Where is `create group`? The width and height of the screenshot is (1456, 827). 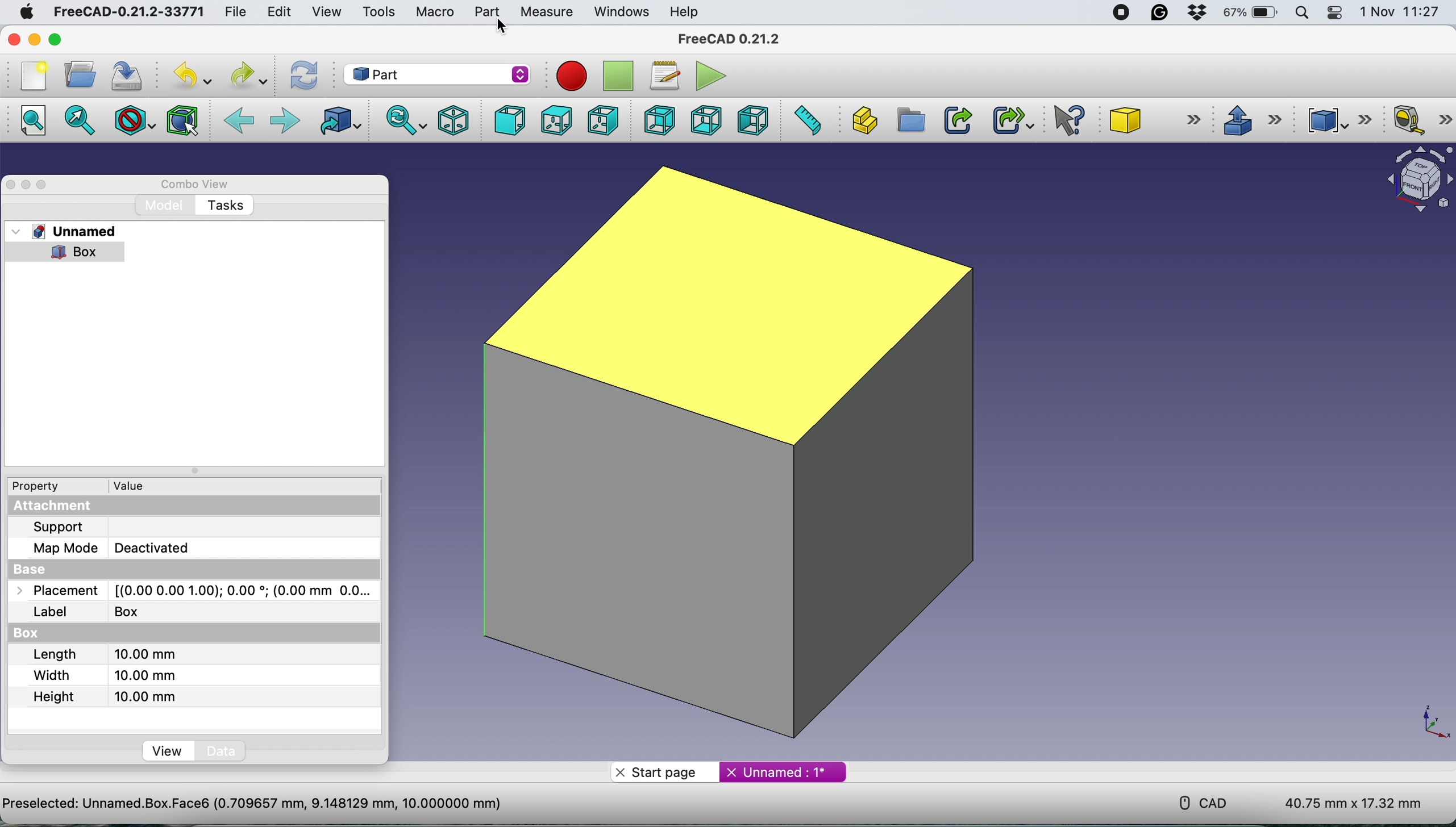 create group is located at coordinates (911, 120).